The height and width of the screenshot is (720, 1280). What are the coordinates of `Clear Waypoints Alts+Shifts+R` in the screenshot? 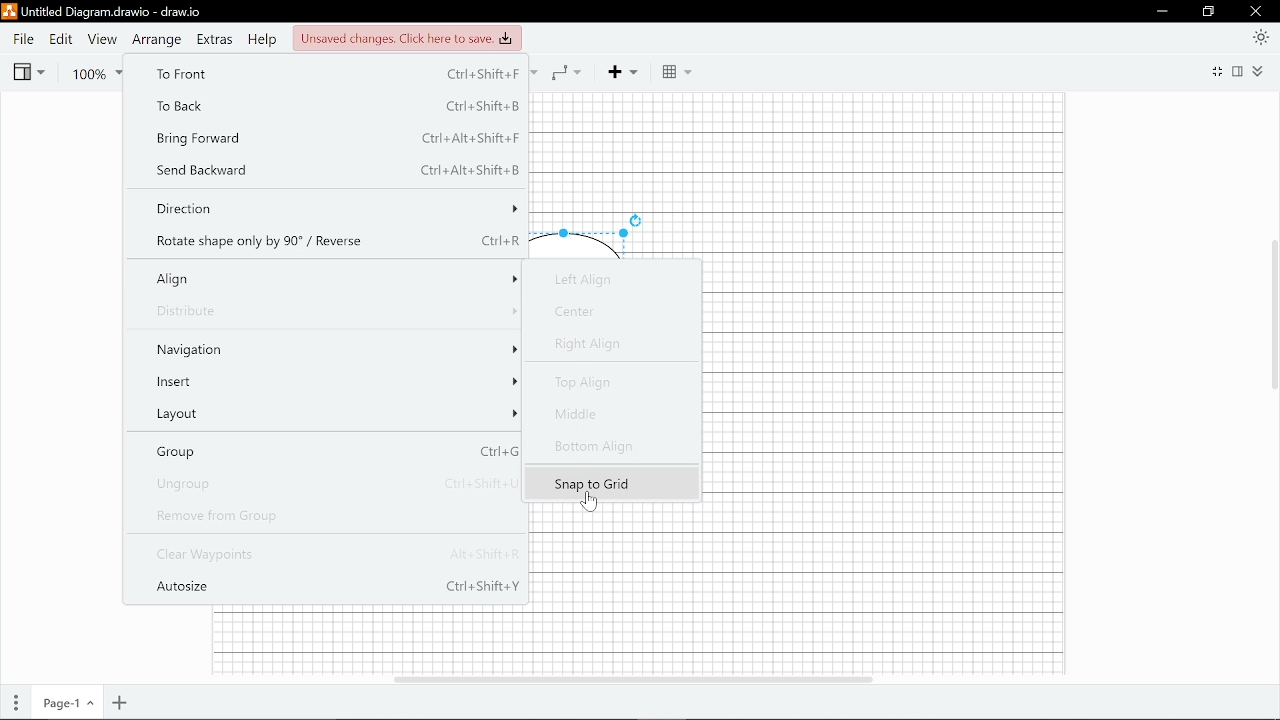 It's located at (339, 556).